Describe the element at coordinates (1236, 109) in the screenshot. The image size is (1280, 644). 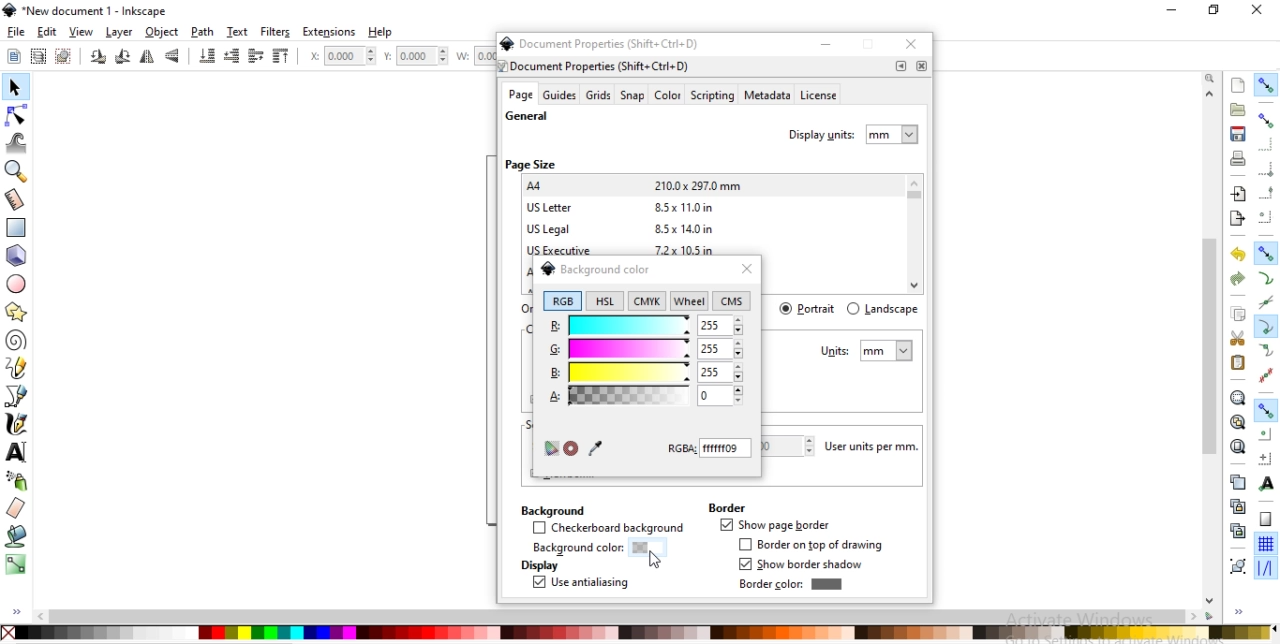
I see `open a document` at that location.